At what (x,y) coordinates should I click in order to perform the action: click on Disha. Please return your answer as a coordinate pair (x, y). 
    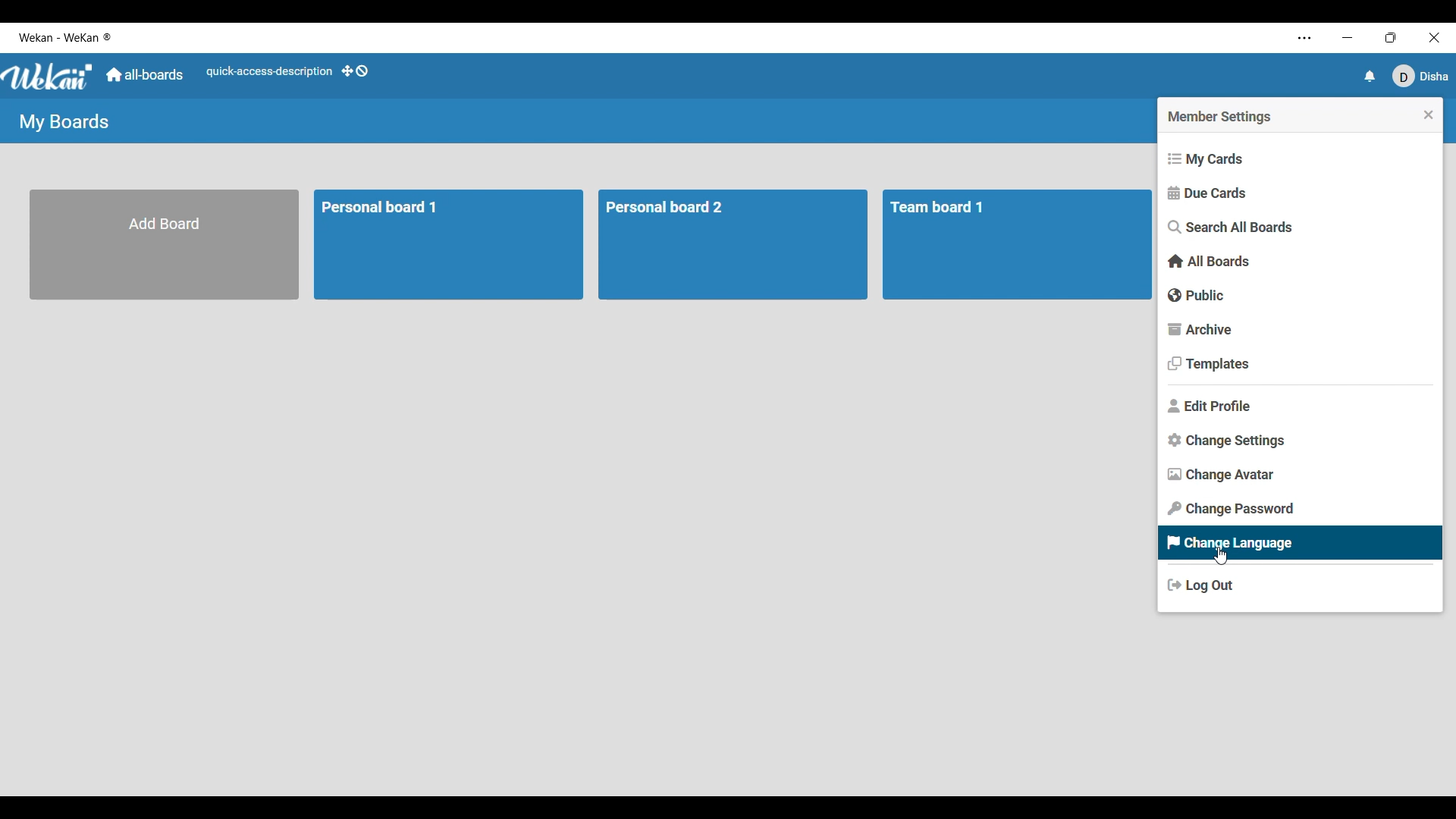
    Looking at the image, I should click on (1421, 77).